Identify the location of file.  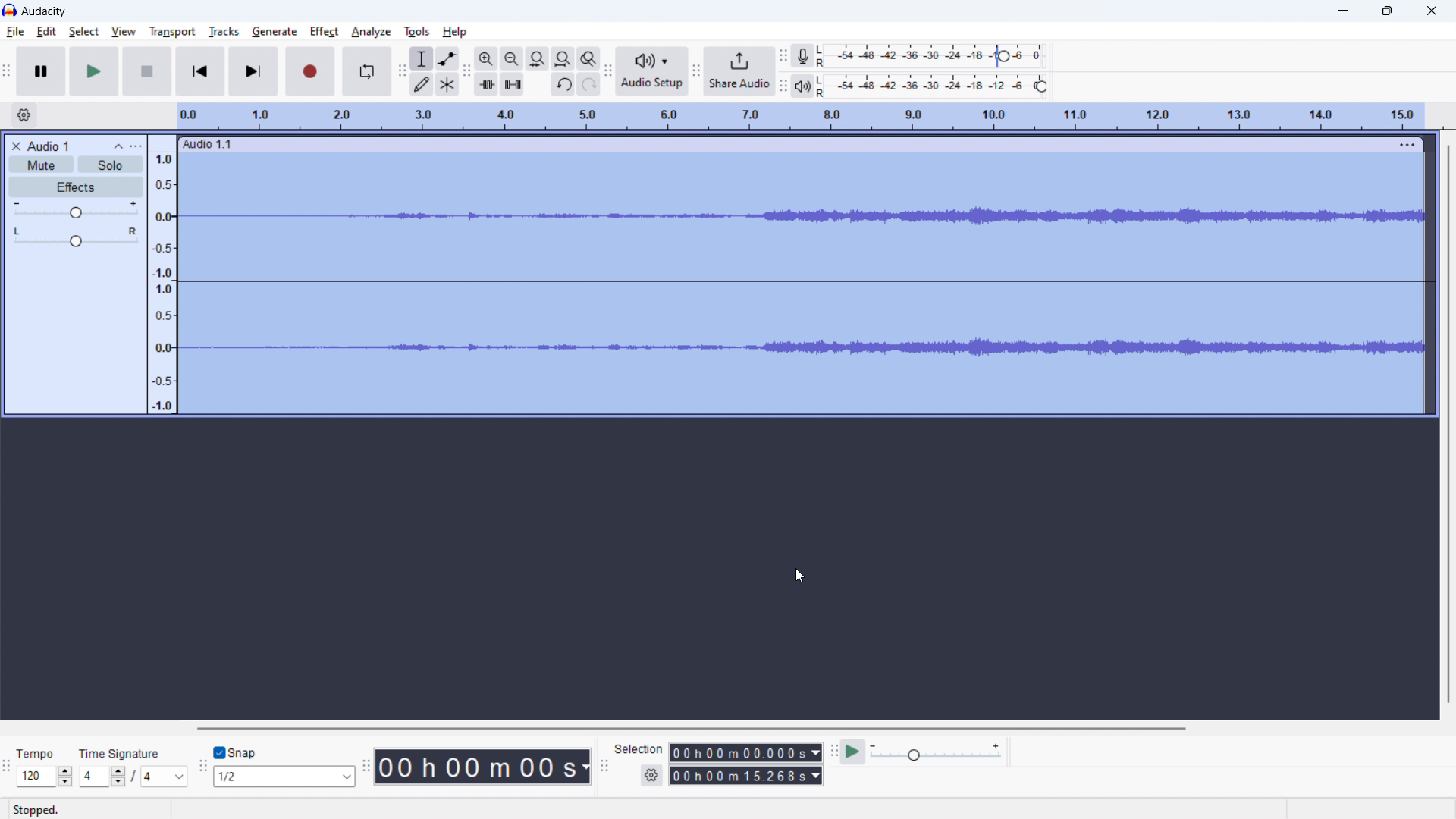
(15, 31).